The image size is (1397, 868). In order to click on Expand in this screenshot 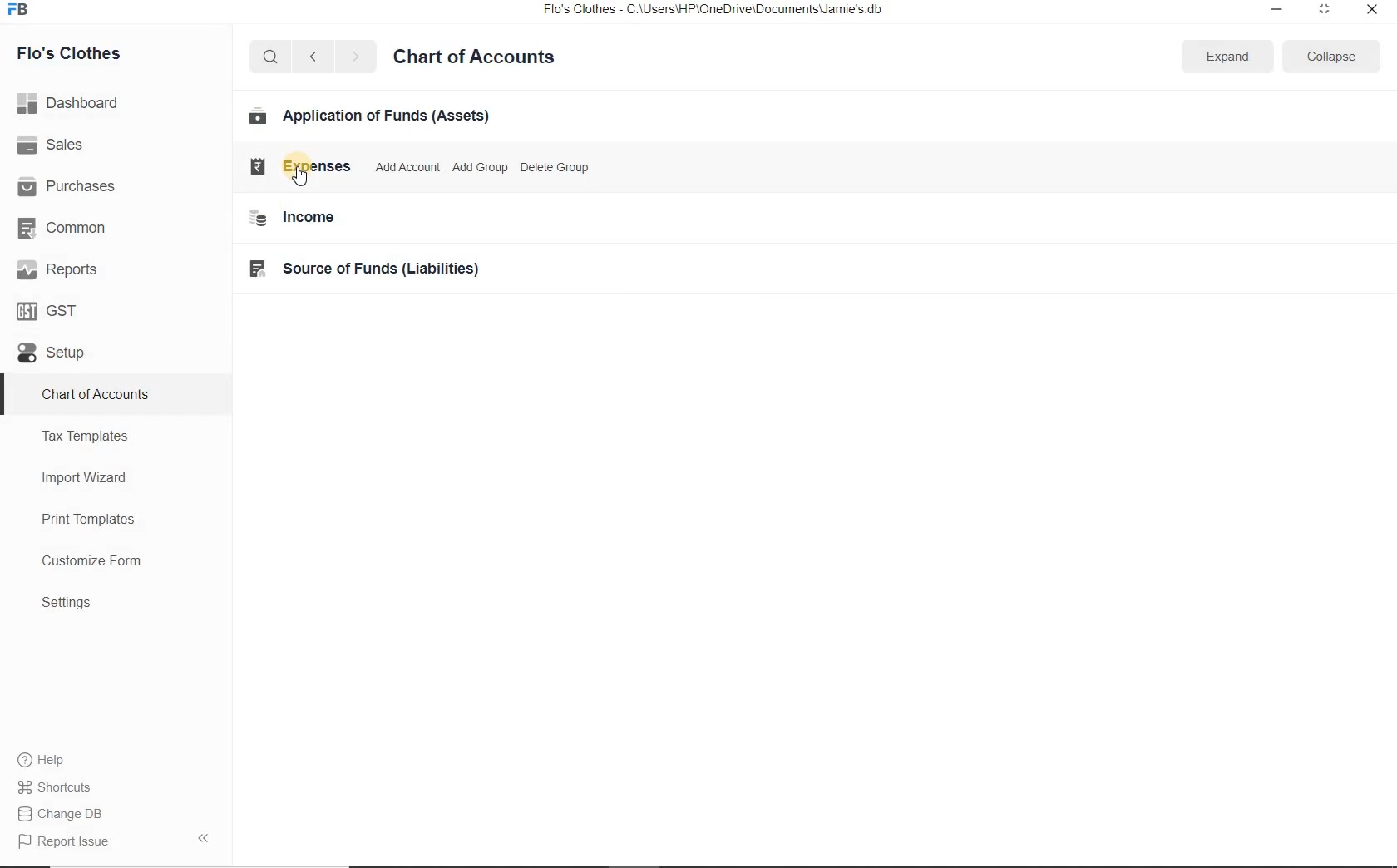, I will do `click(1228, 56)`.